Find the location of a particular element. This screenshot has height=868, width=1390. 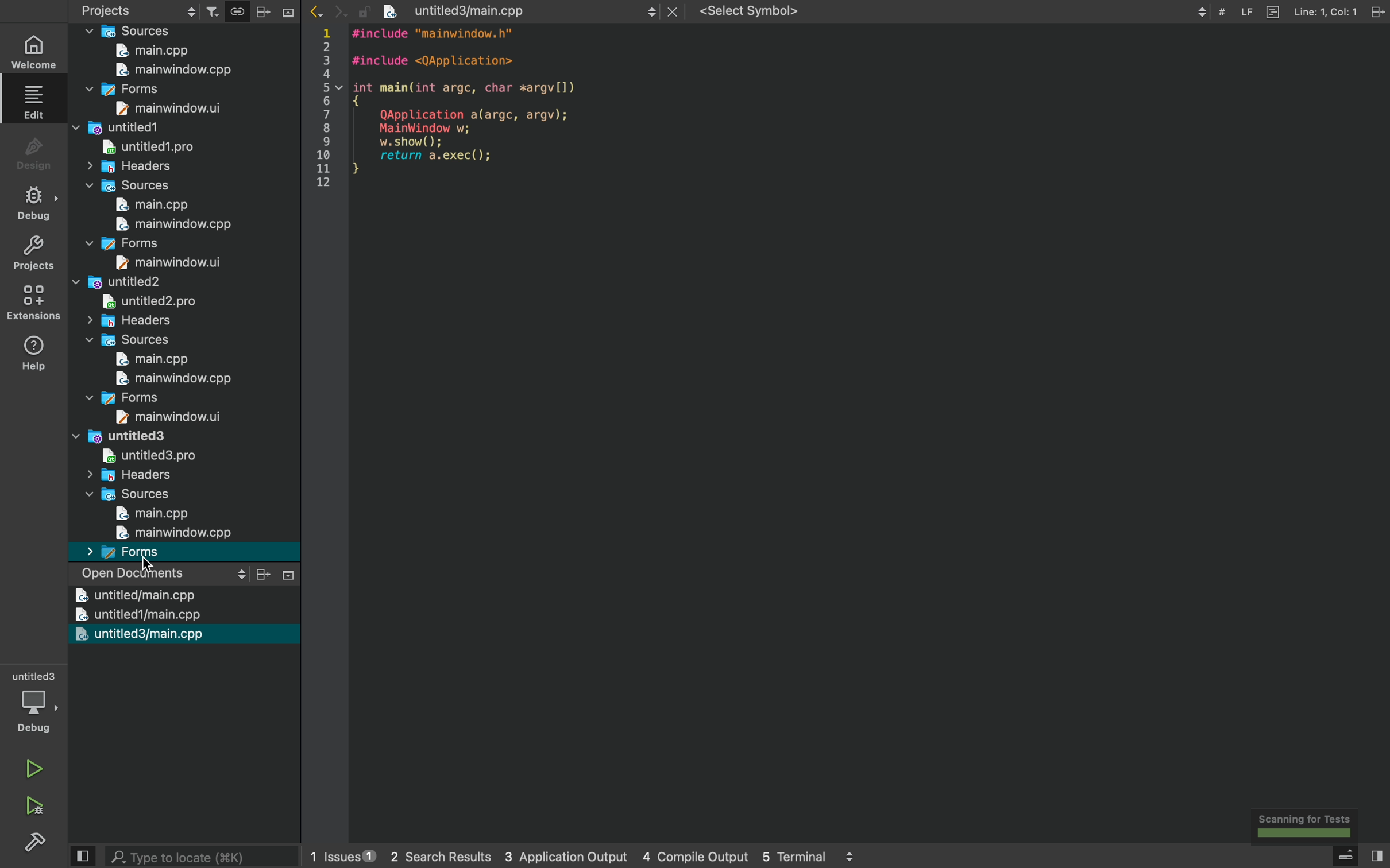

main is located at coordinates (152, 516).